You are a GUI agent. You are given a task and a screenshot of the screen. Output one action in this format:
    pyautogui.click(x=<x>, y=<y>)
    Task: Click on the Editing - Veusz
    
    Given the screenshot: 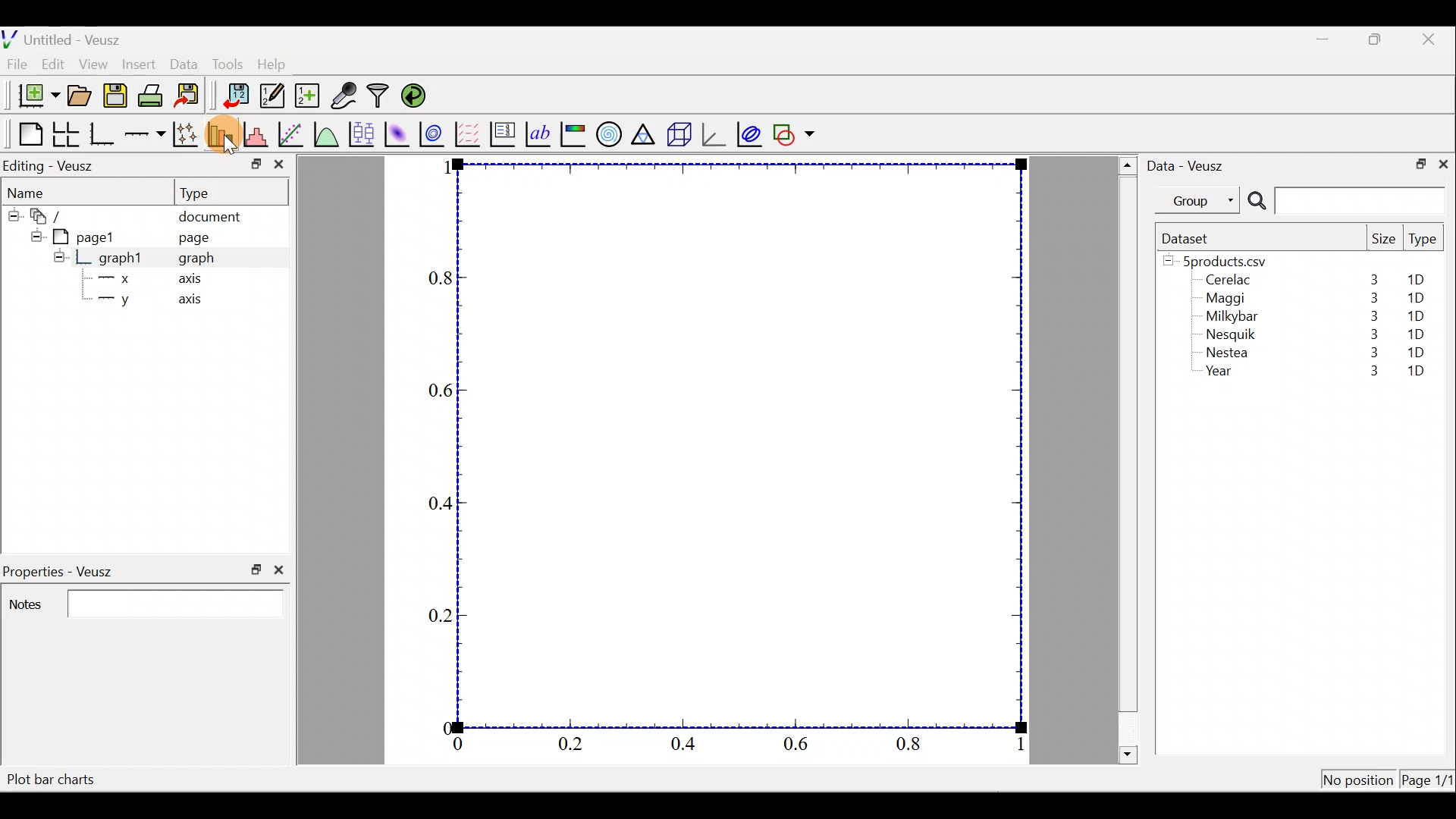 What is the action you would take?
    pyautogui.click(x=52, y=165)
    